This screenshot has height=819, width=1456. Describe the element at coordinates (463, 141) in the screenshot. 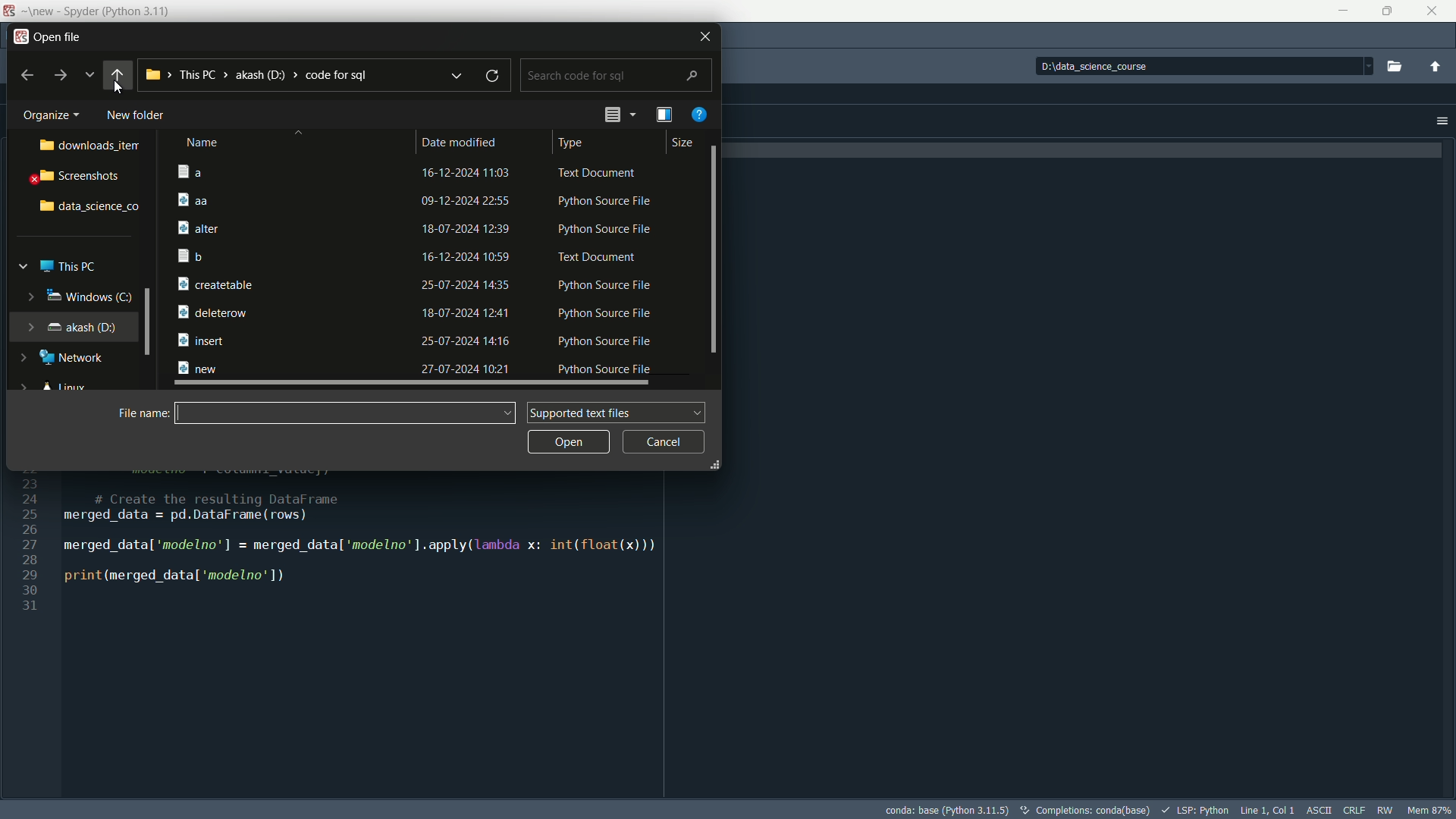

I see `date modified` at that location.